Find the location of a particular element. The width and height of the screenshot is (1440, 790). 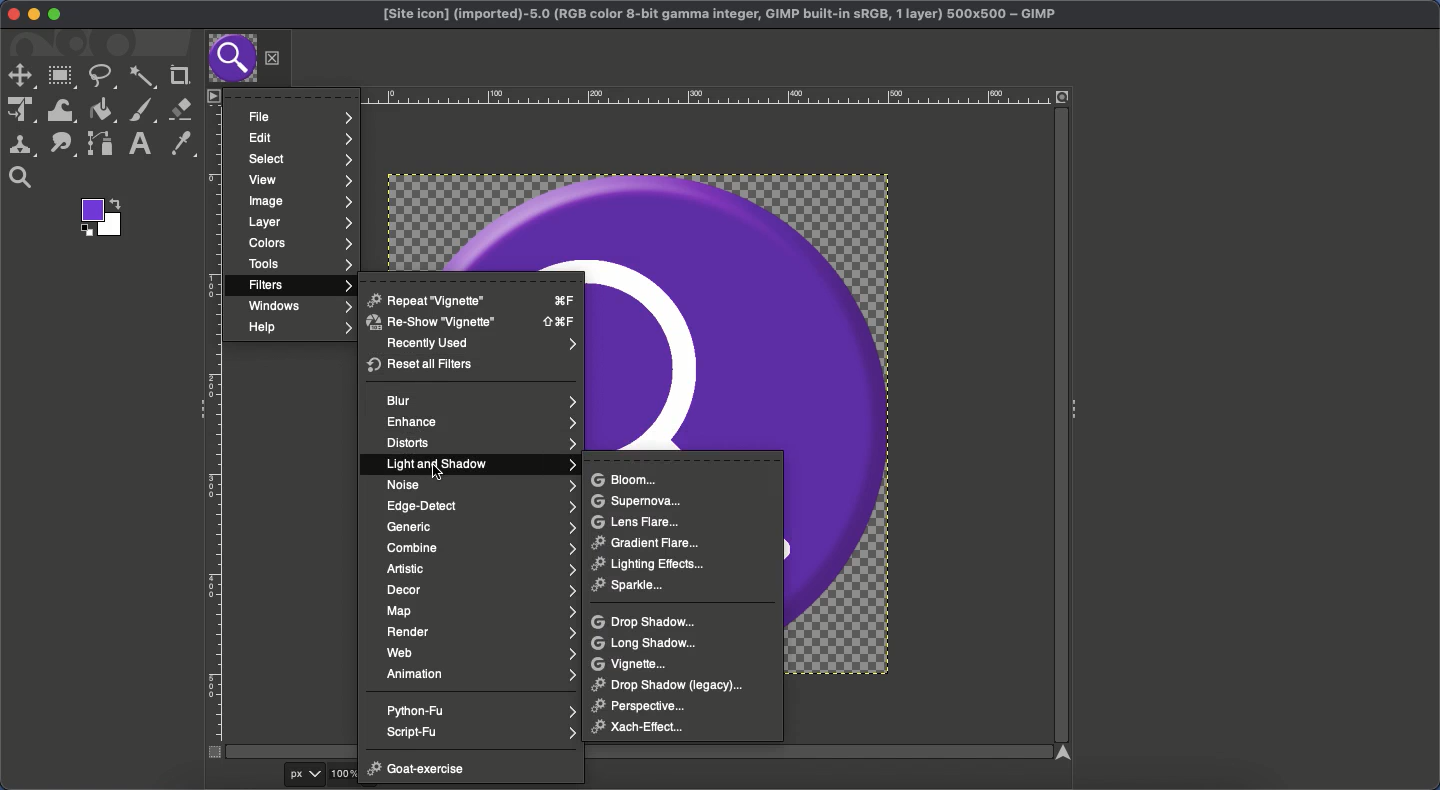

Goat exercise is located at coordinates (417, 771).